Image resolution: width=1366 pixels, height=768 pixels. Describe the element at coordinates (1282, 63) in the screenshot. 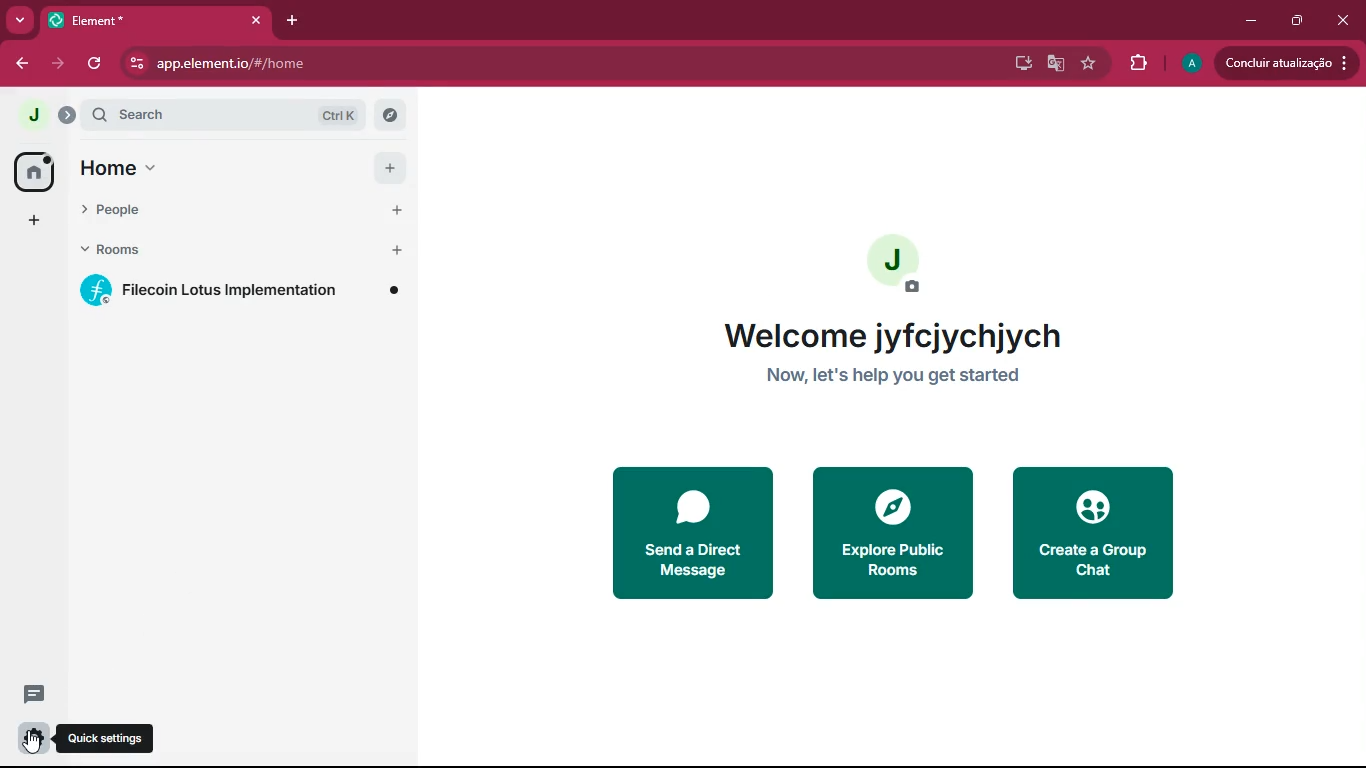

I see `update` at that location.